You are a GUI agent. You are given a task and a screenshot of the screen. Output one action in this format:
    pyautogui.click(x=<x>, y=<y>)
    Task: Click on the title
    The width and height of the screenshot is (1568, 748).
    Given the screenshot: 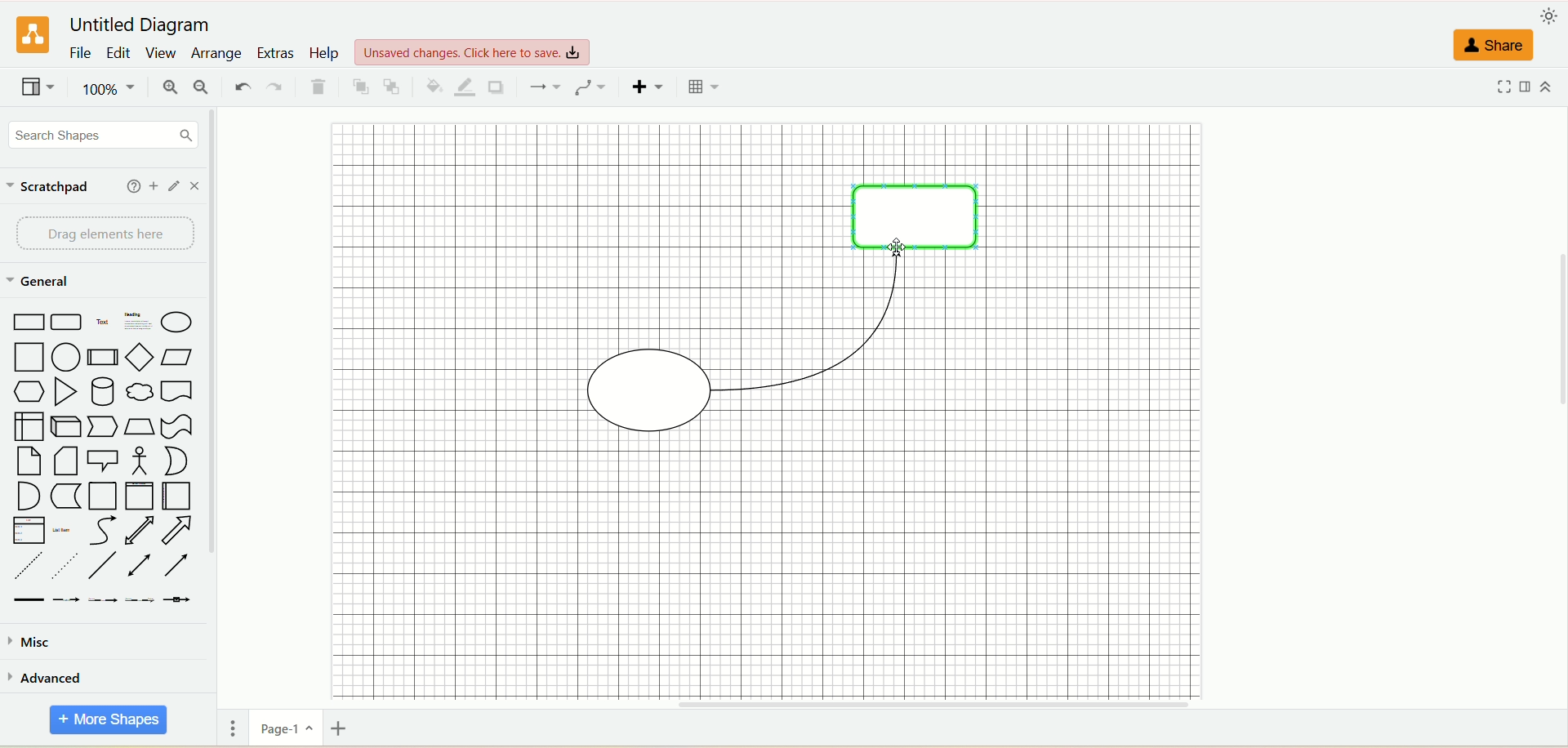 What is the action you would take?
    pyautogui.click(x=145, y=25)
    